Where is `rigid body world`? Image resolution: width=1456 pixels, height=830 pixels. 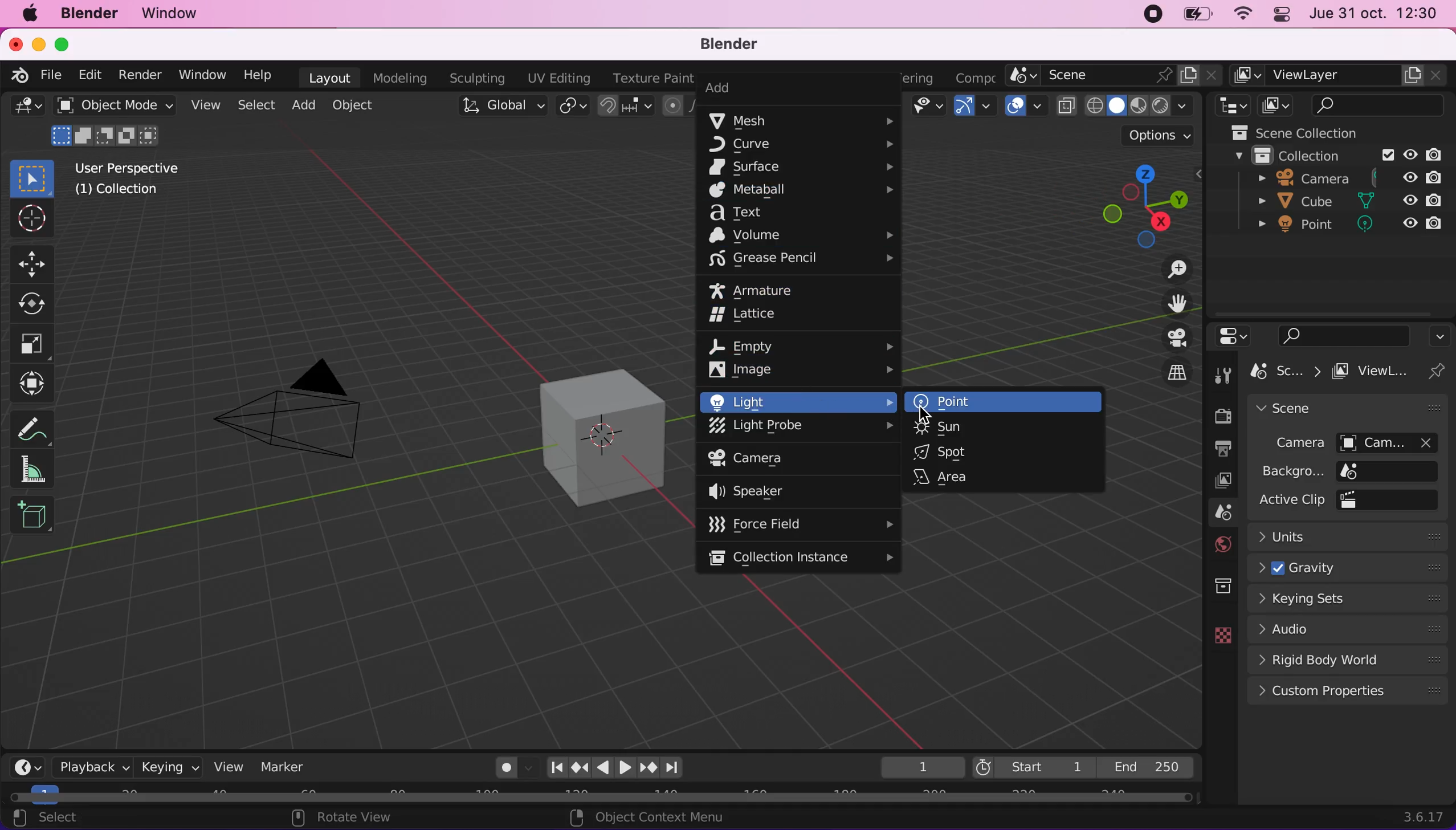 rigid body world is located at coordinates (1344, 661).